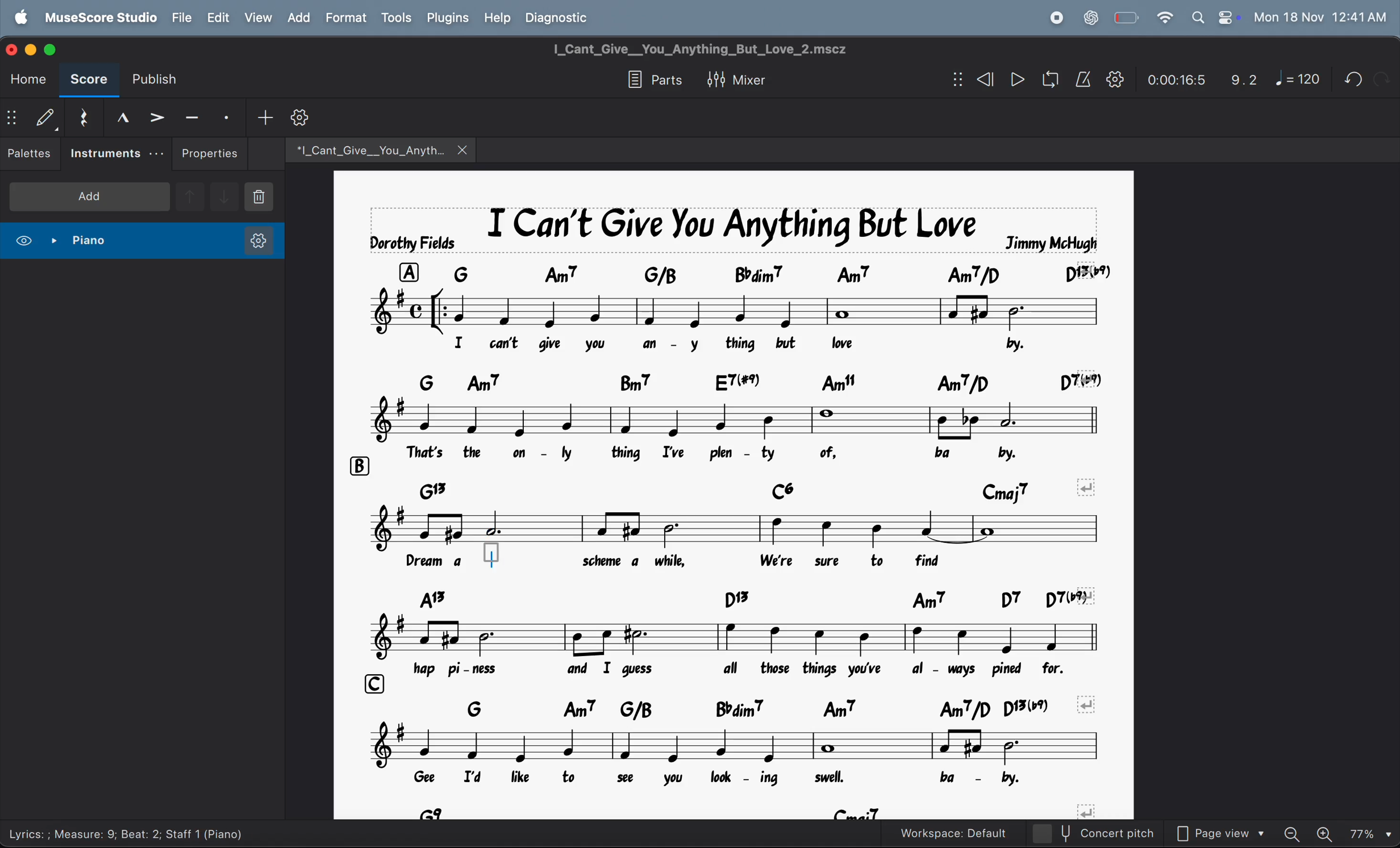 This screenshot has height=848, width=1400. Describe the element at coordinates (1328, 833) in the screenshot. I see `zoom in` at that location.